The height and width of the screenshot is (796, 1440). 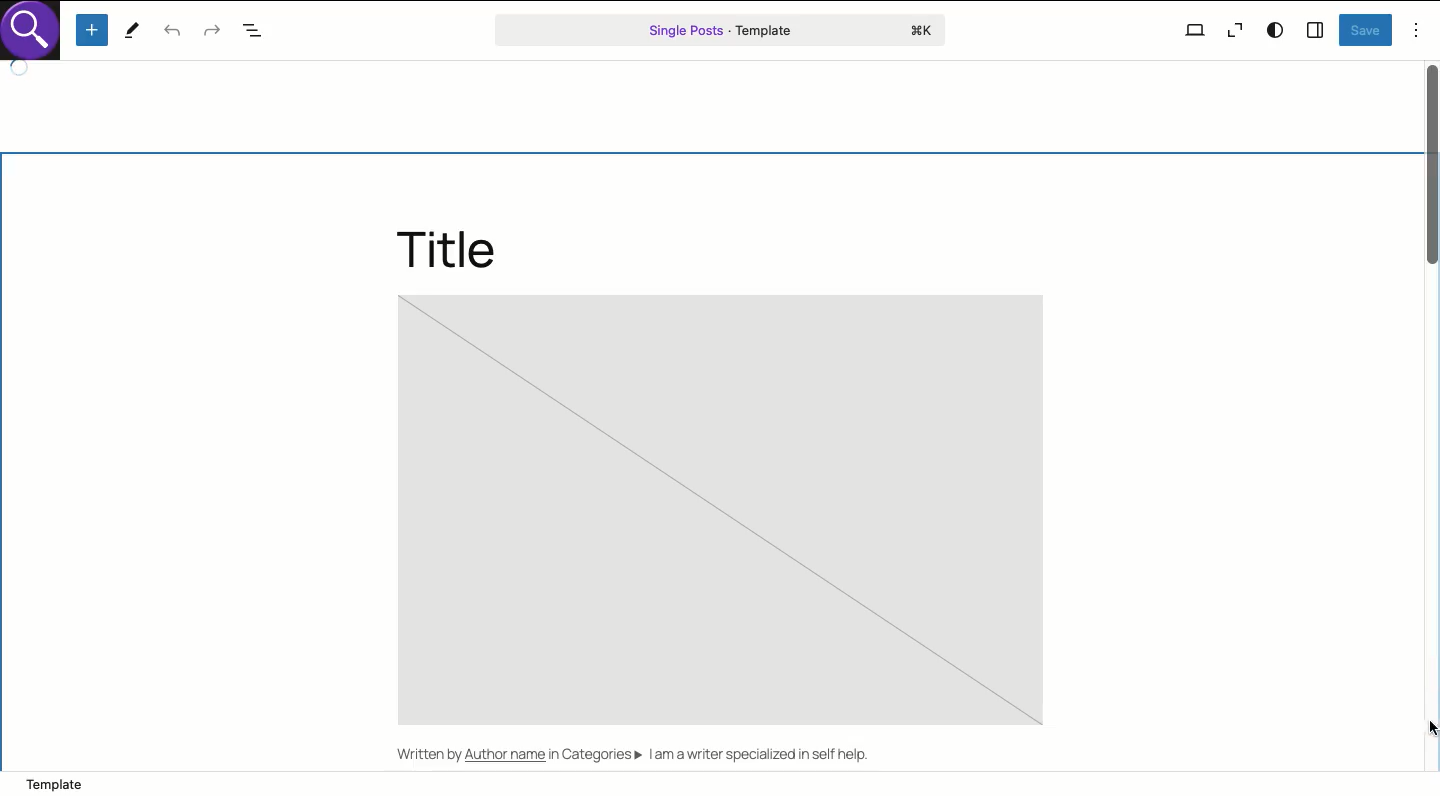 I want to click on Zoom out, so click(x=1233, y=33).